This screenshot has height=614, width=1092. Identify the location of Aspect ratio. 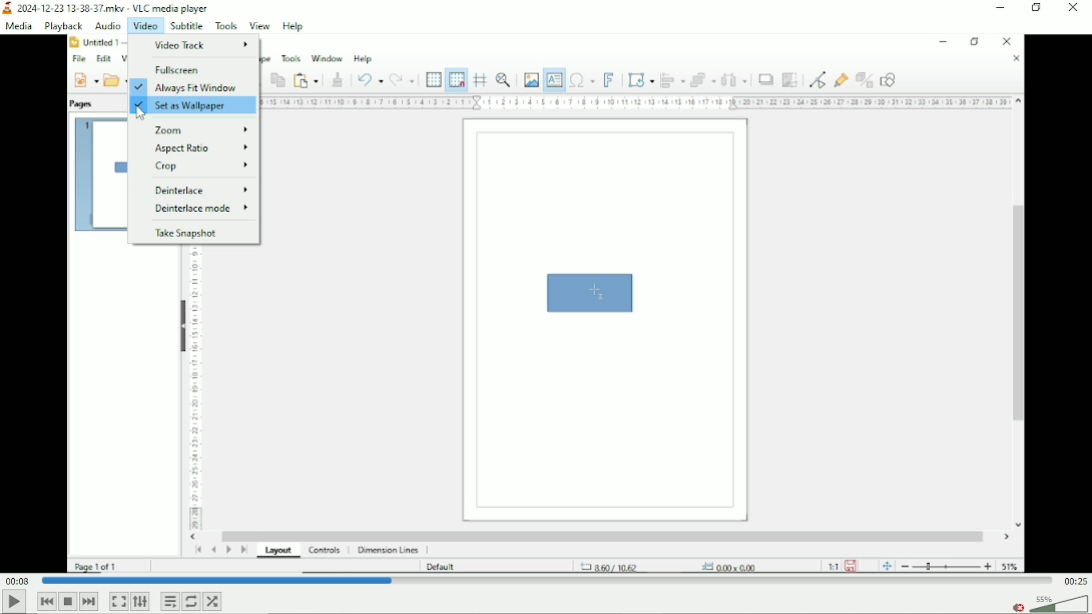
(199, 150).